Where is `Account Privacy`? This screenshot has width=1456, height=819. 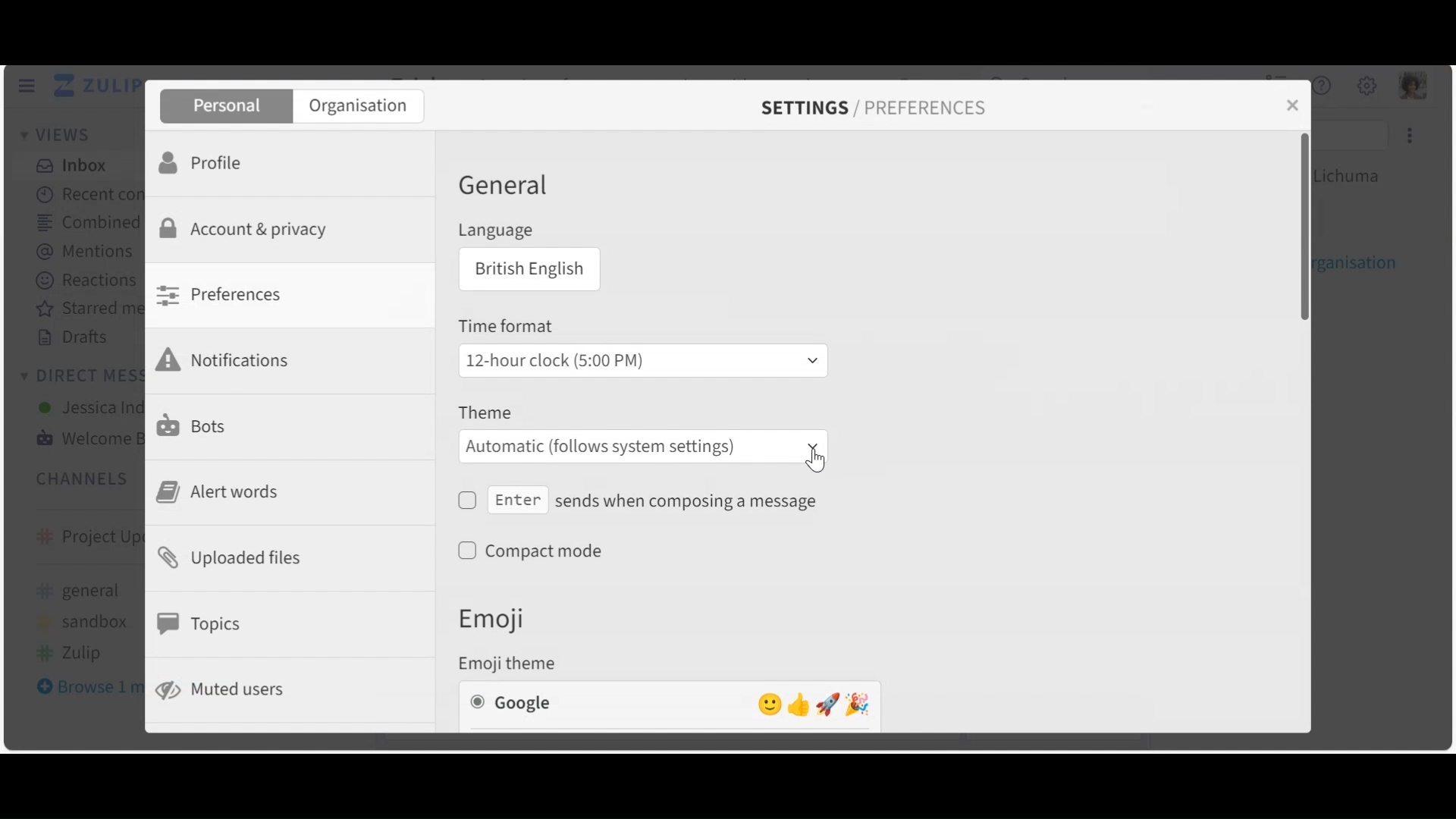
Account Privacy is located at coordinates (249, 228).